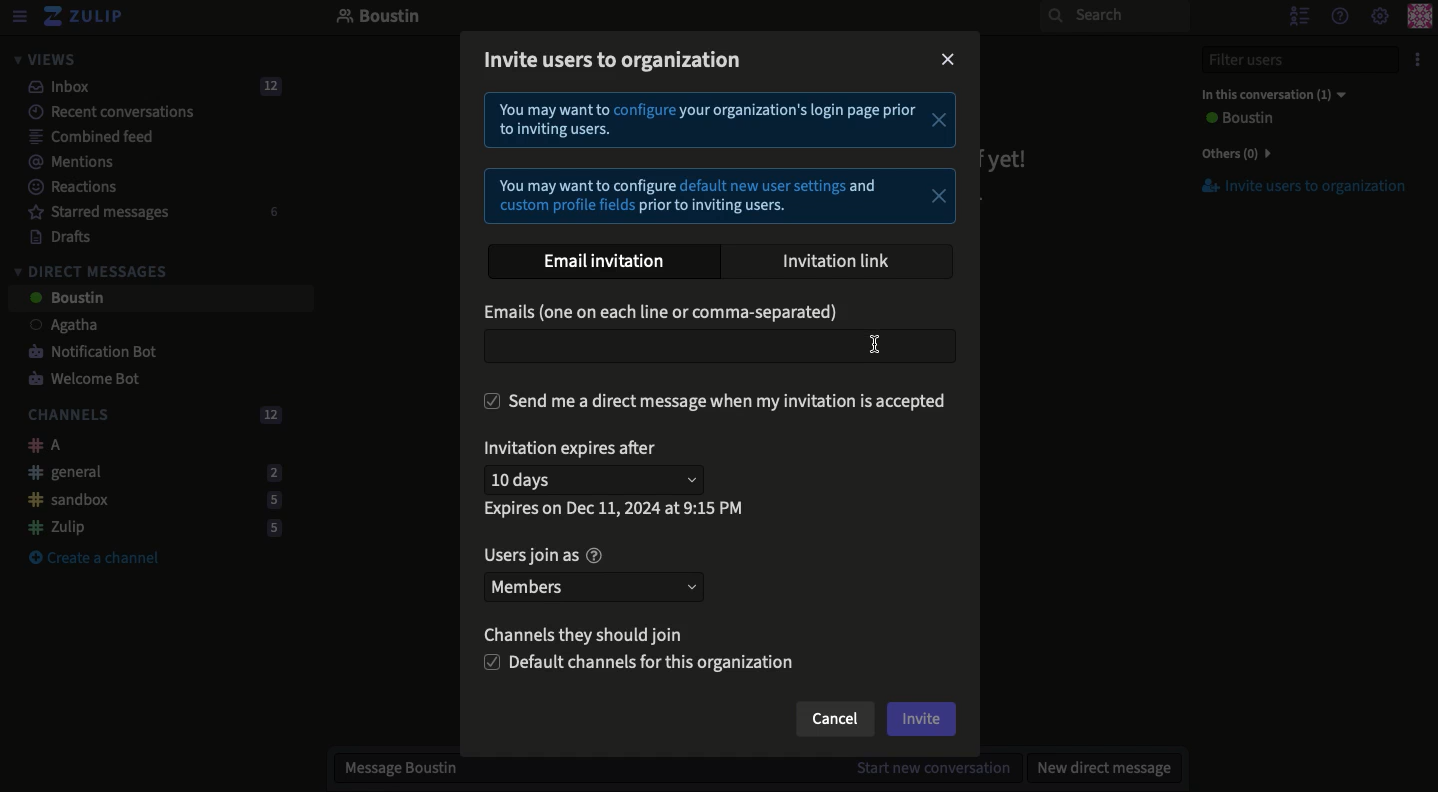  What do you see at coordinates (80, 136) in the screenshot?
I see `Combined feed` at bounding box center [80, 136].